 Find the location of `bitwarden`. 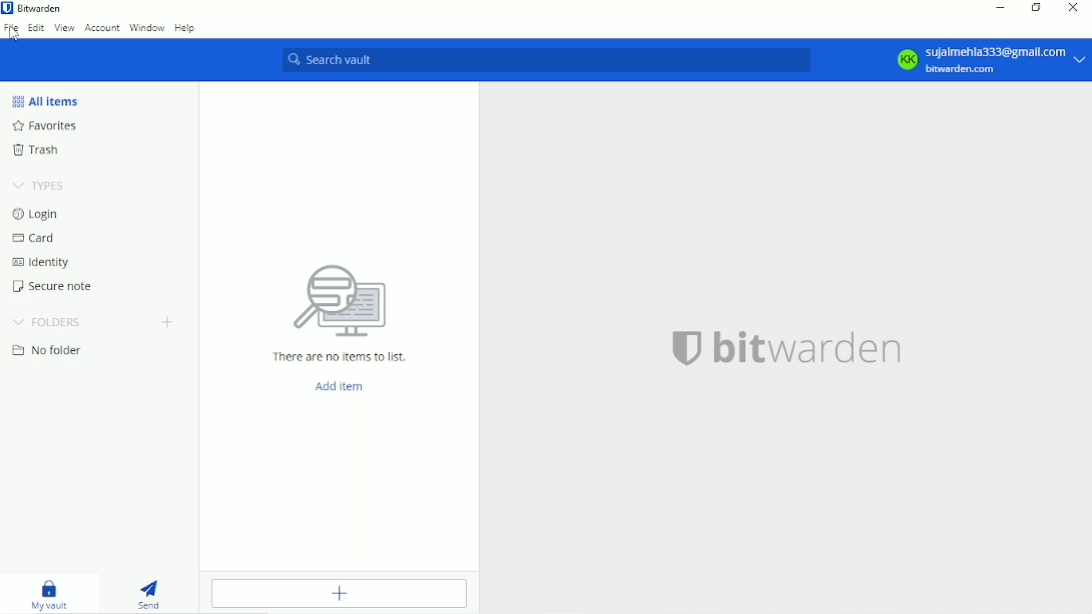

bitwarden is located at coordinates (781, 349).